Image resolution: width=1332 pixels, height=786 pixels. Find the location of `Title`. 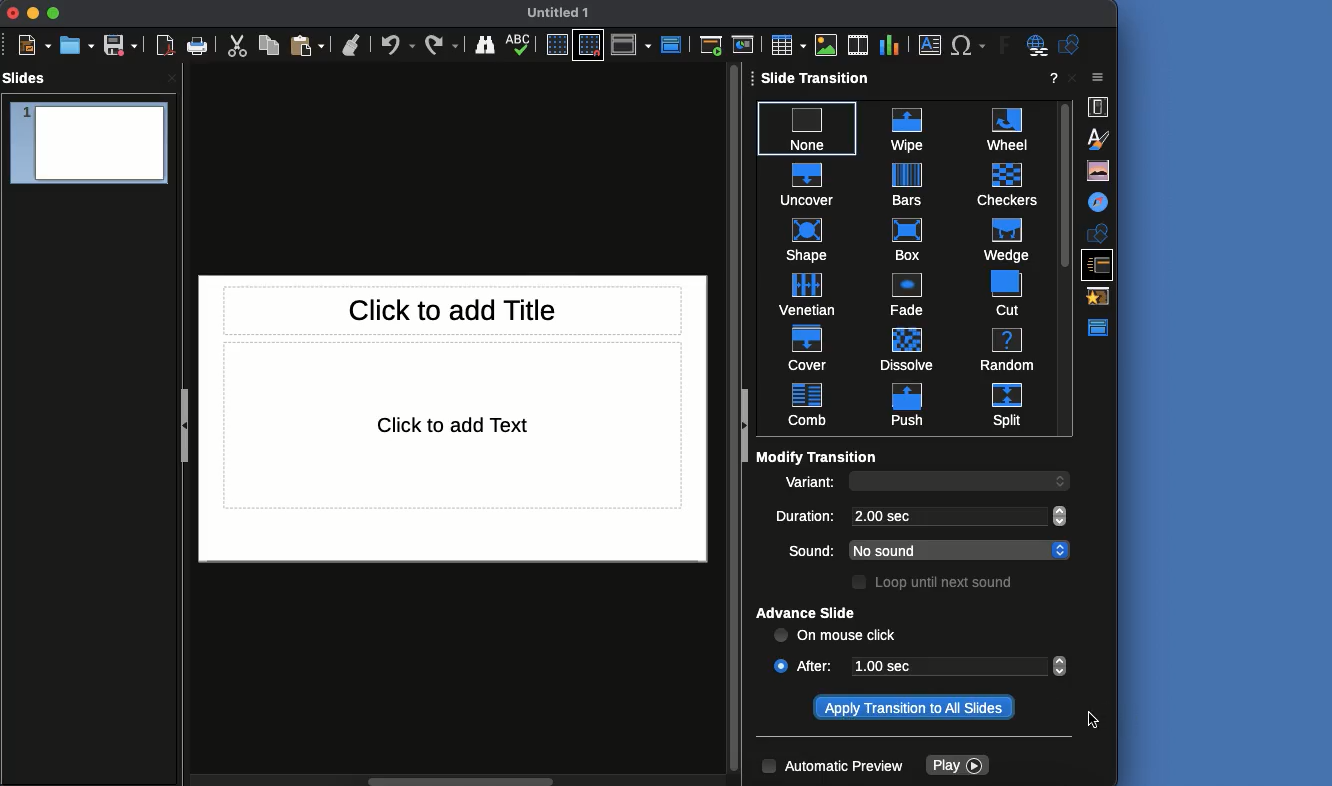

Title is located at coordinates (454, 310).